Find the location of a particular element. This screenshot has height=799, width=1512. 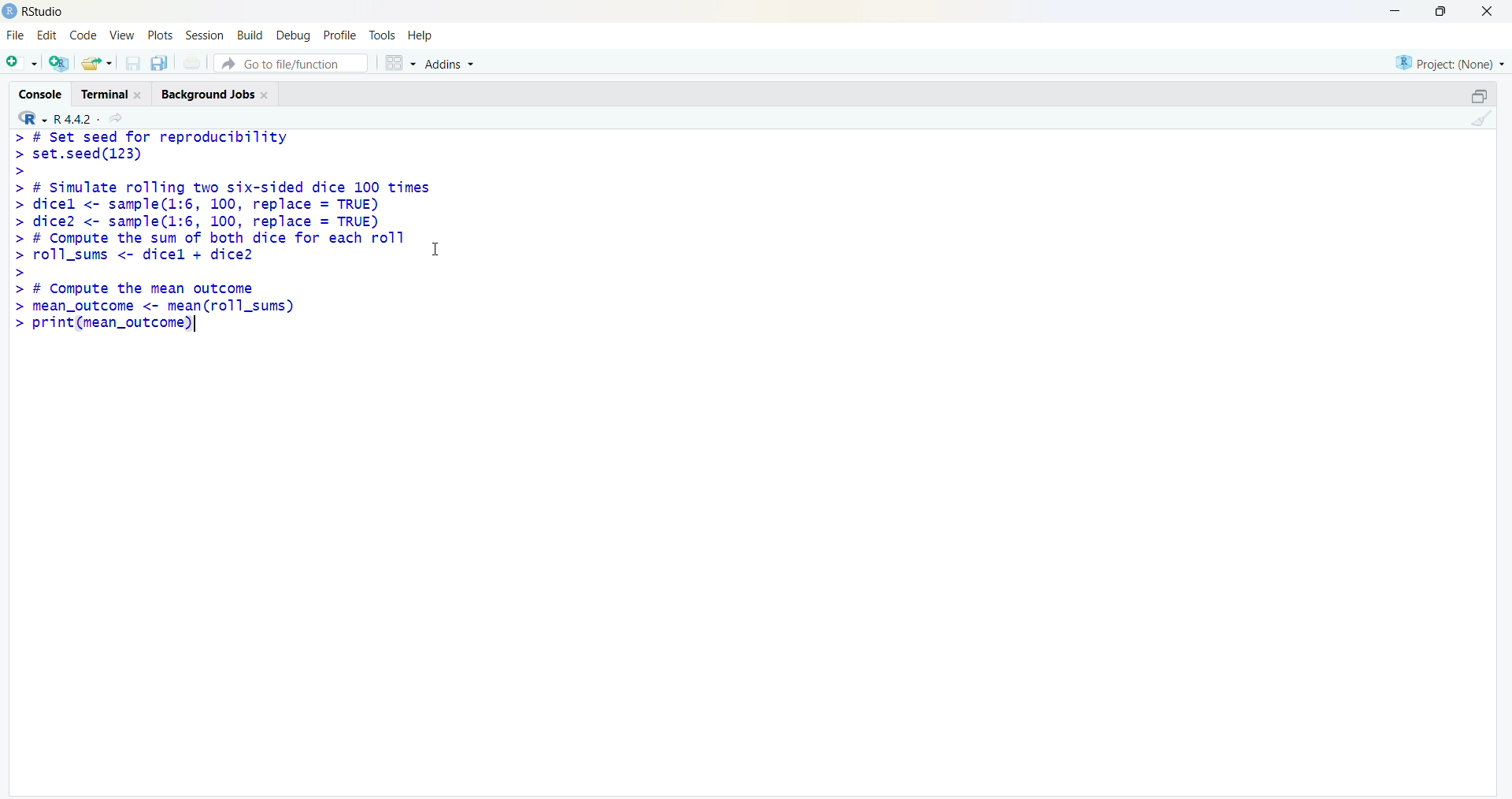

share icon  is located at coordinates (117, 119).